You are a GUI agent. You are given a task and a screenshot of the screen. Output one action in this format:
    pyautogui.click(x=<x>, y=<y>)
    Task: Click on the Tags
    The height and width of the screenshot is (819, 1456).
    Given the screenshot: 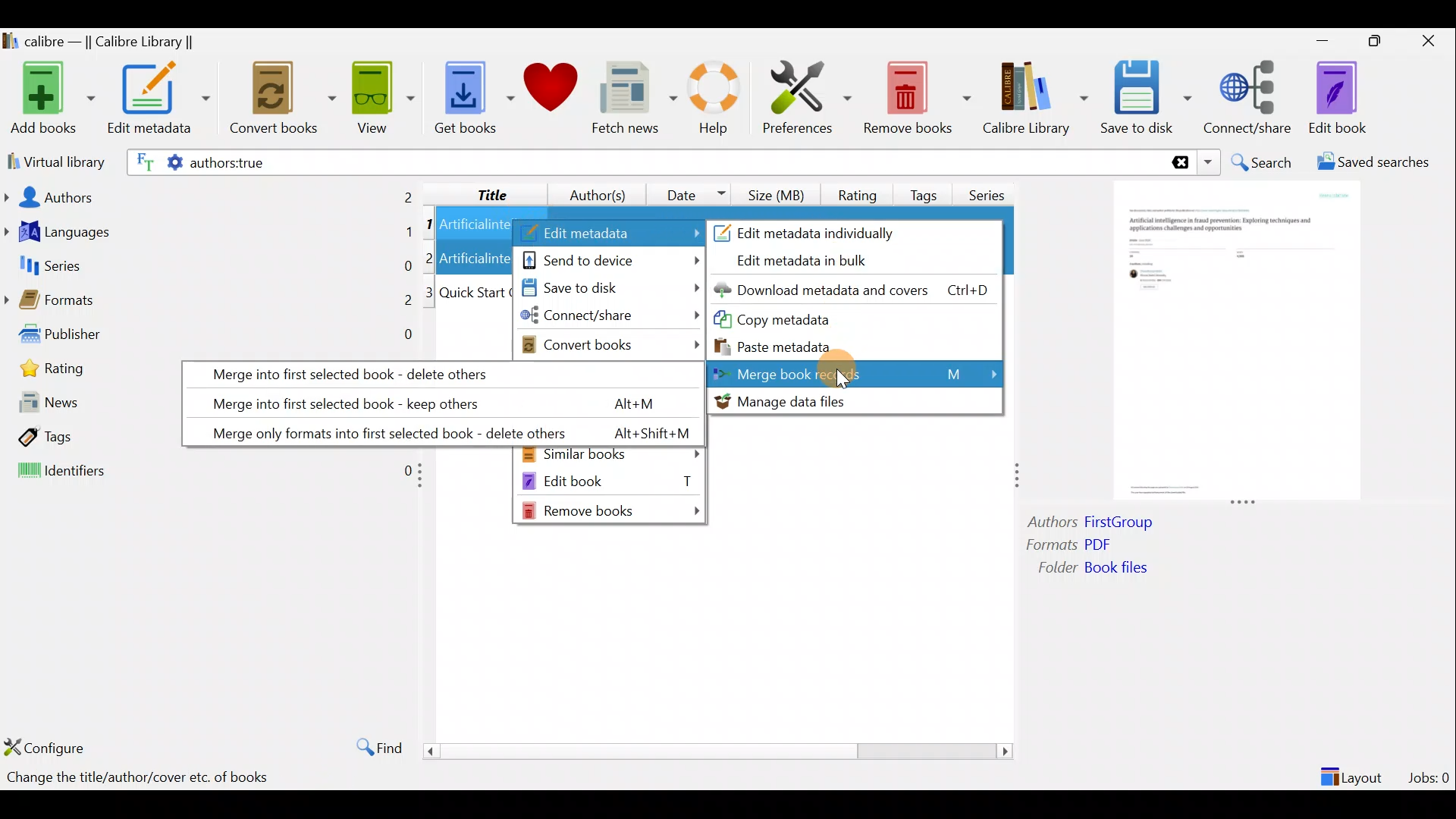 What is the action you would take?
    pyautogui.click(x=86, y=437)
    